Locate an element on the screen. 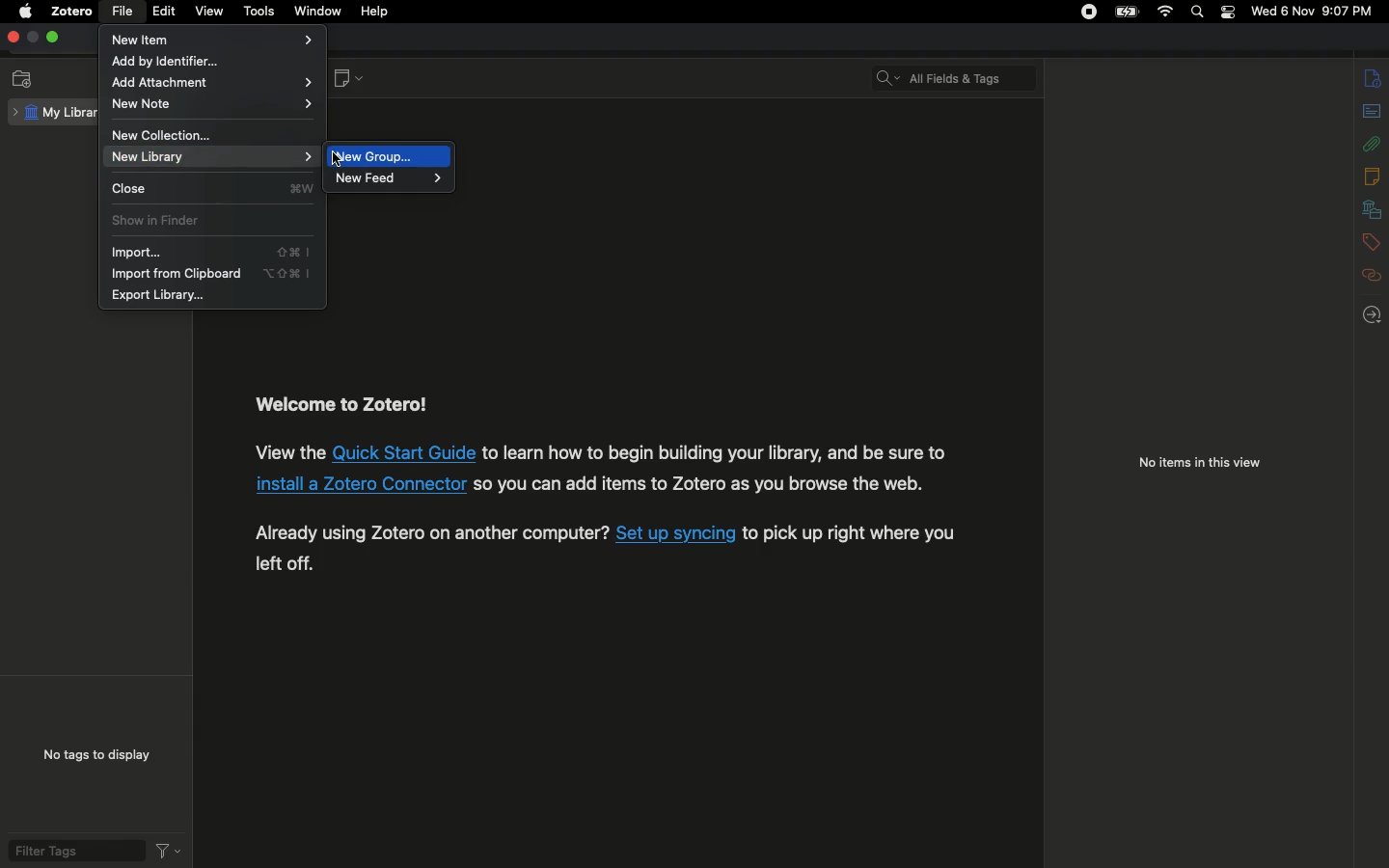 The height and width of the screenshot is (868, 1389). Locate is located at coordinates (1375, 314).